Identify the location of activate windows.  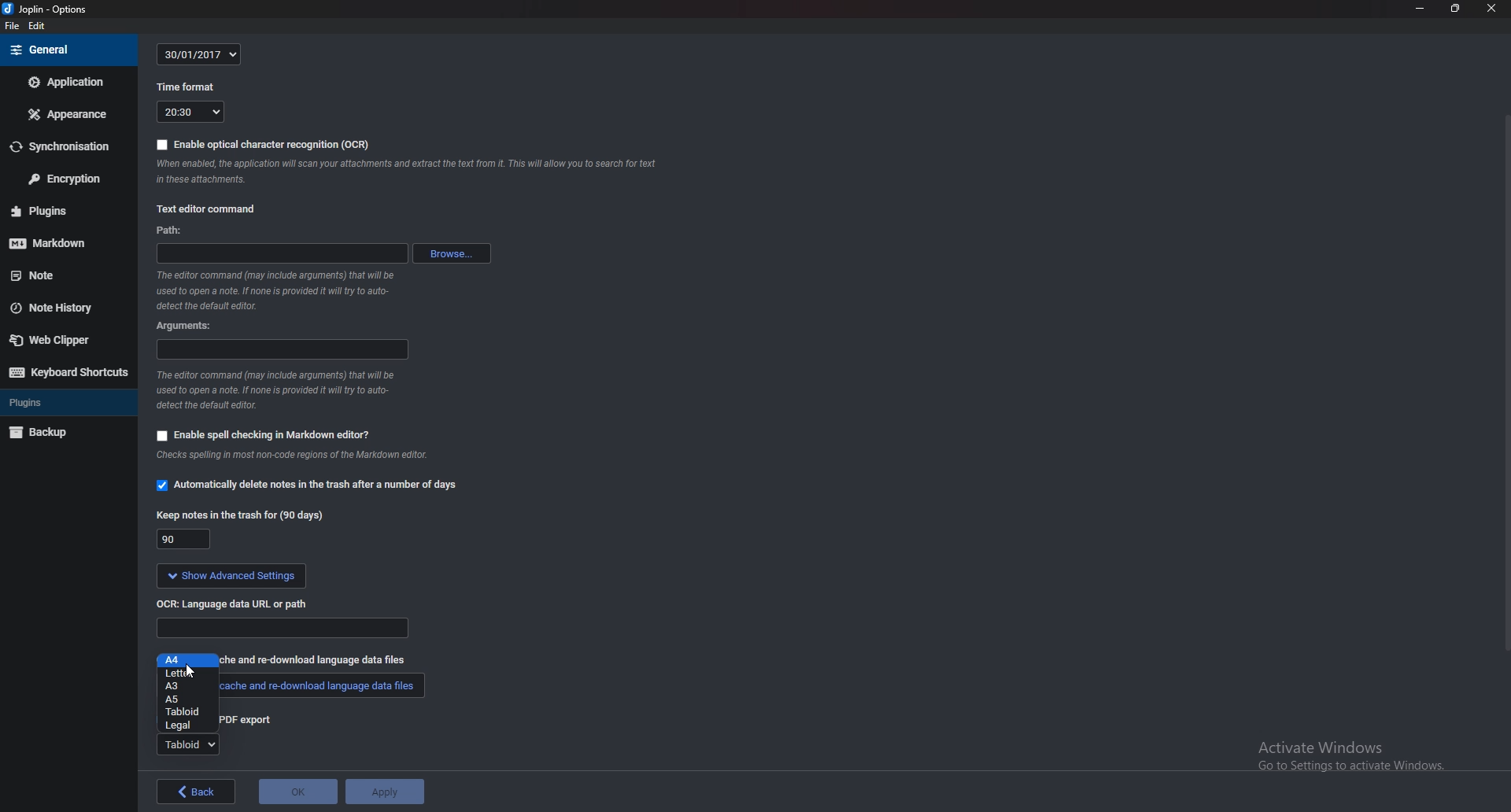
(1339, 758).